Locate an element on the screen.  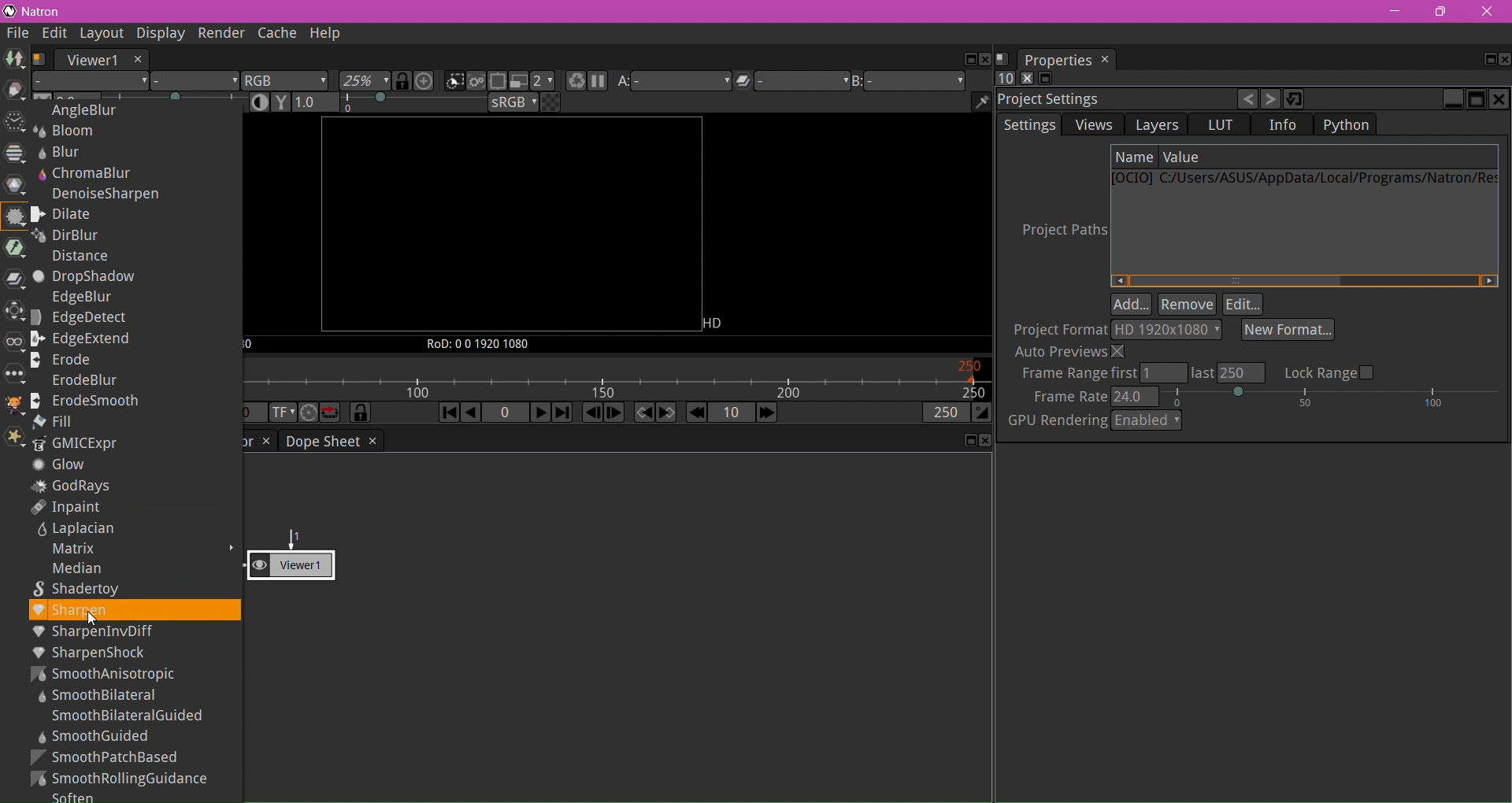
Bur is located at coordinates (64, 151).